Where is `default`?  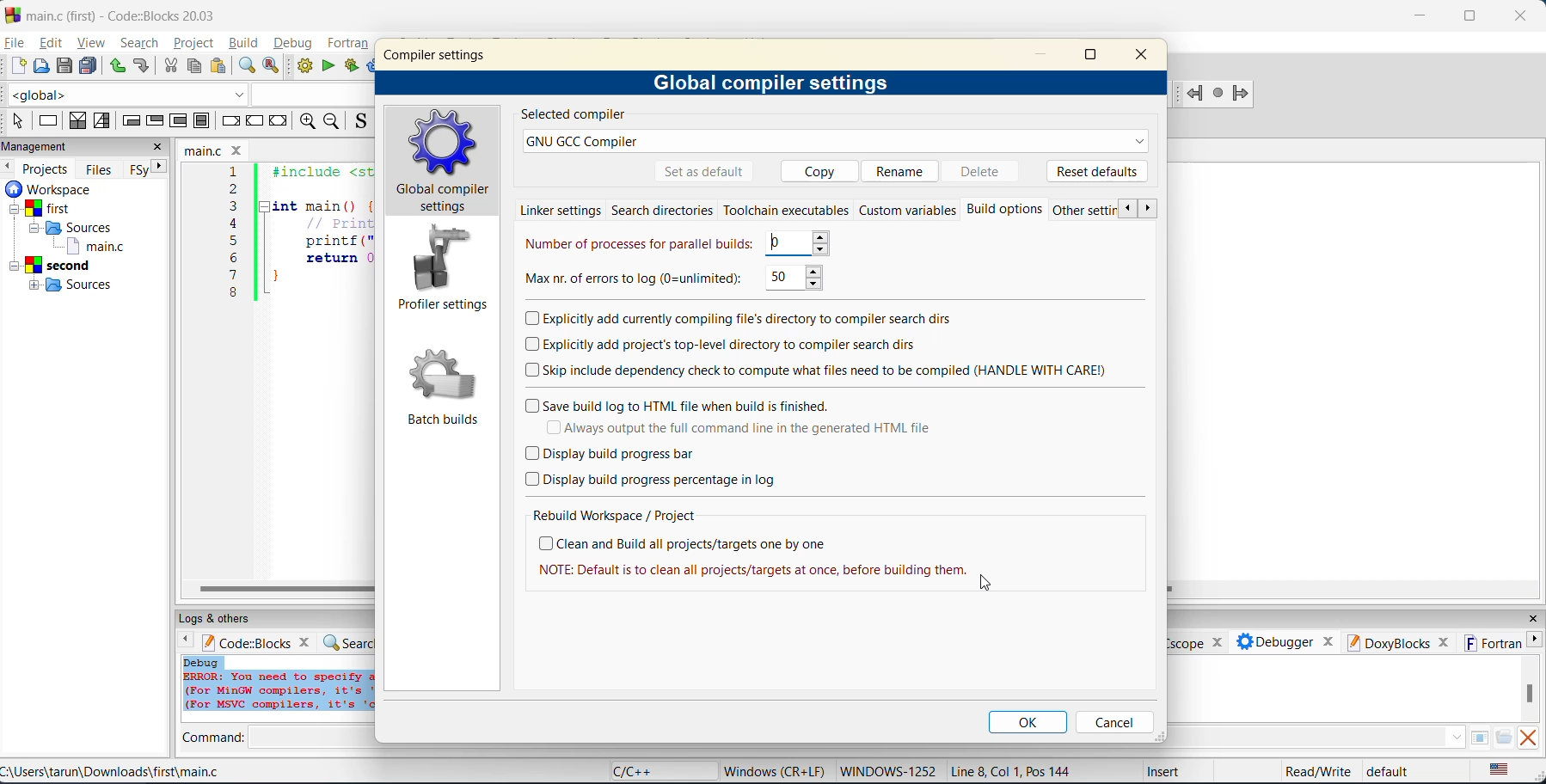 default is located at coordinates (1395, 772).